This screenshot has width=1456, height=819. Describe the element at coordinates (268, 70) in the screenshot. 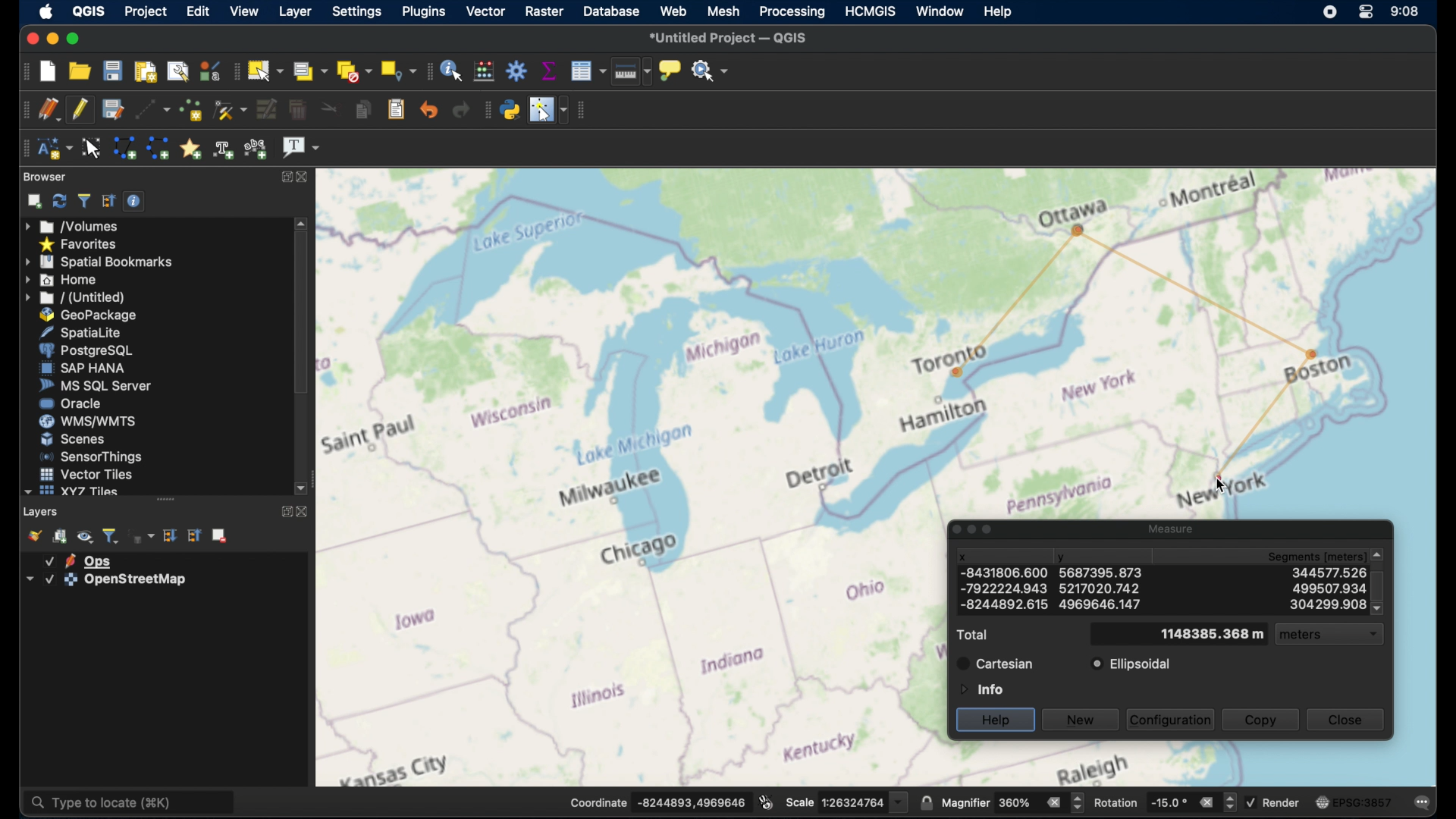

I see `select features by area or single click` at that location.